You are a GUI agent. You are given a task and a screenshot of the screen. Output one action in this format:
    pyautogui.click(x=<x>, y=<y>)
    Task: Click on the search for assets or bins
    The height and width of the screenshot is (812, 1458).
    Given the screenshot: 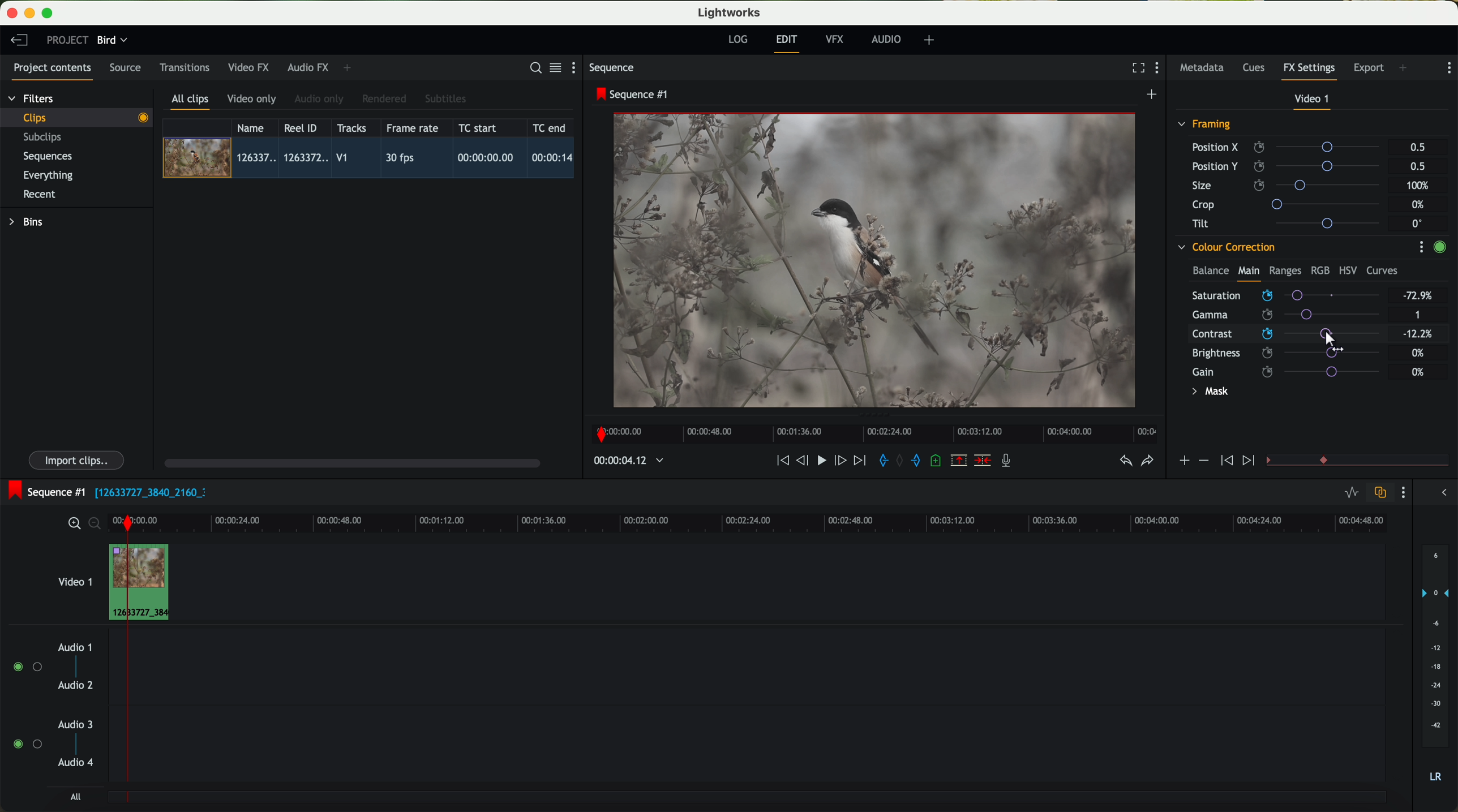 What is the action you would take?
    pyautogui.click(x=532, y=68)
    